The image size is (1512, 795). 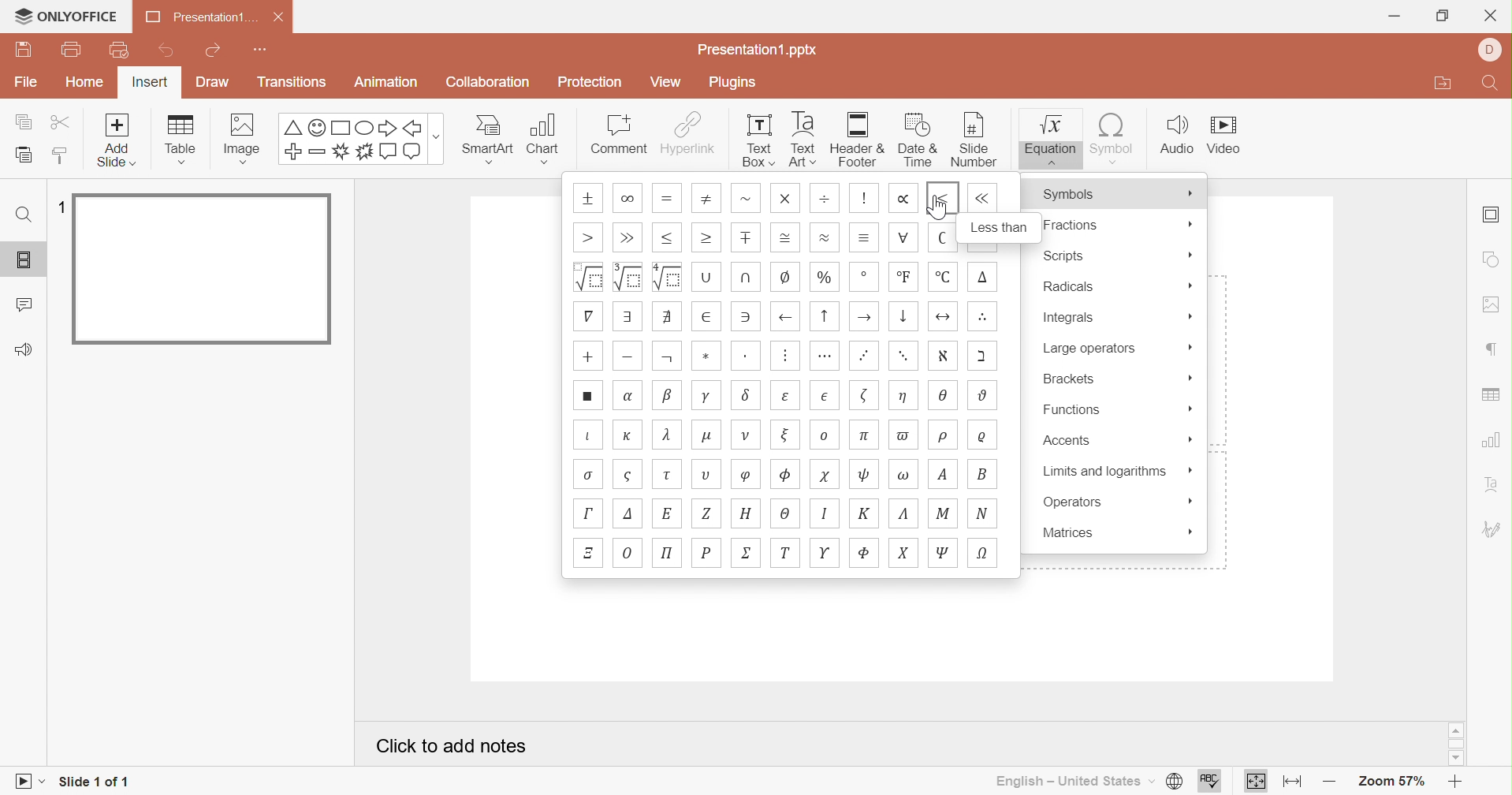 I want to click on Header & Footer, so click(x=862, y=140).